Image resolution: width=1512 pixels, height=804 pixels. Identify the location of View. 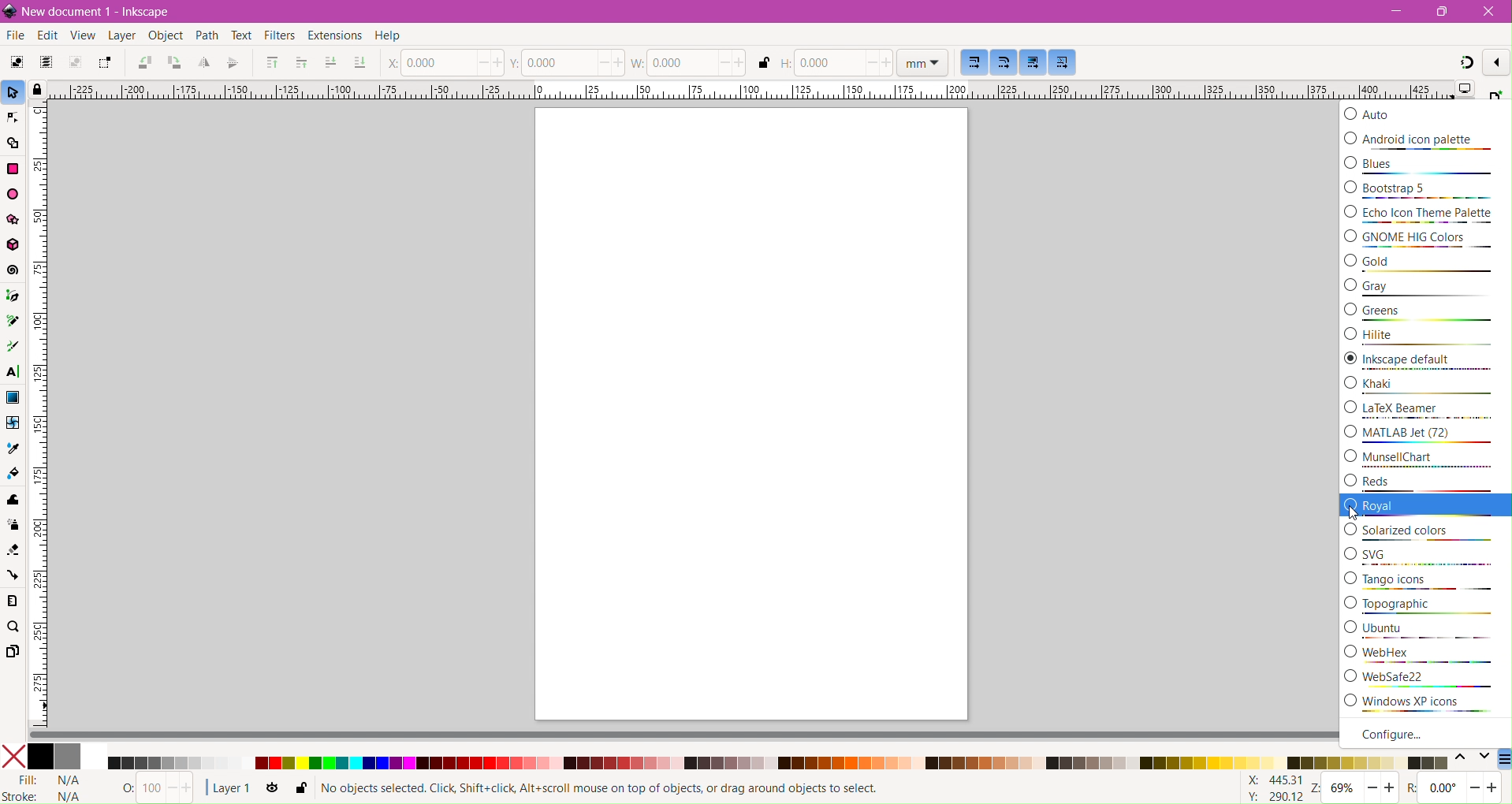
(80, 35).